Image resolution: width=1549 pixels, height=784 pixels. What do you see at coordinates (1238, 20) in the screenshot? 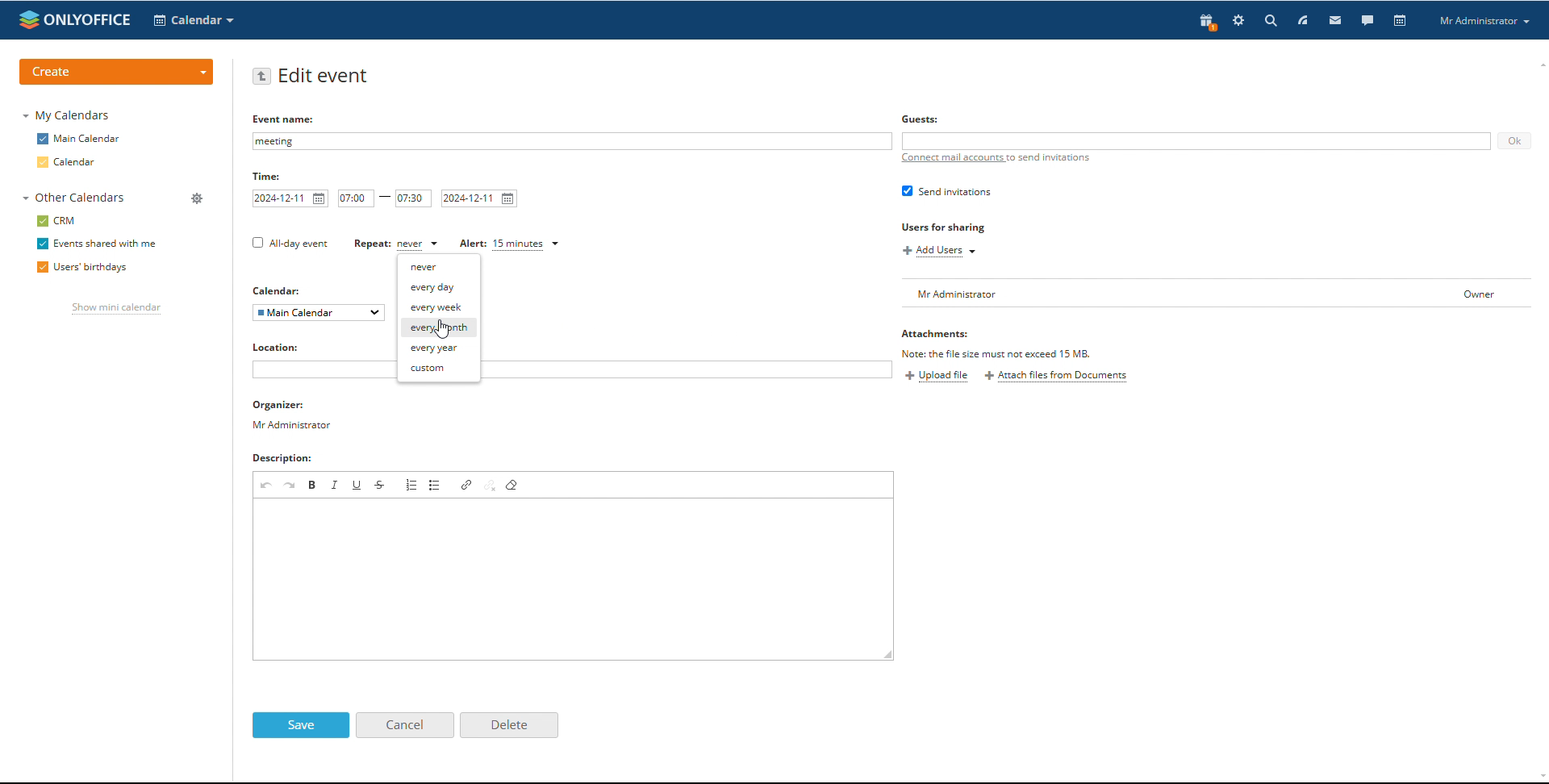
I see `settings` at bounding box center [1238, 20].